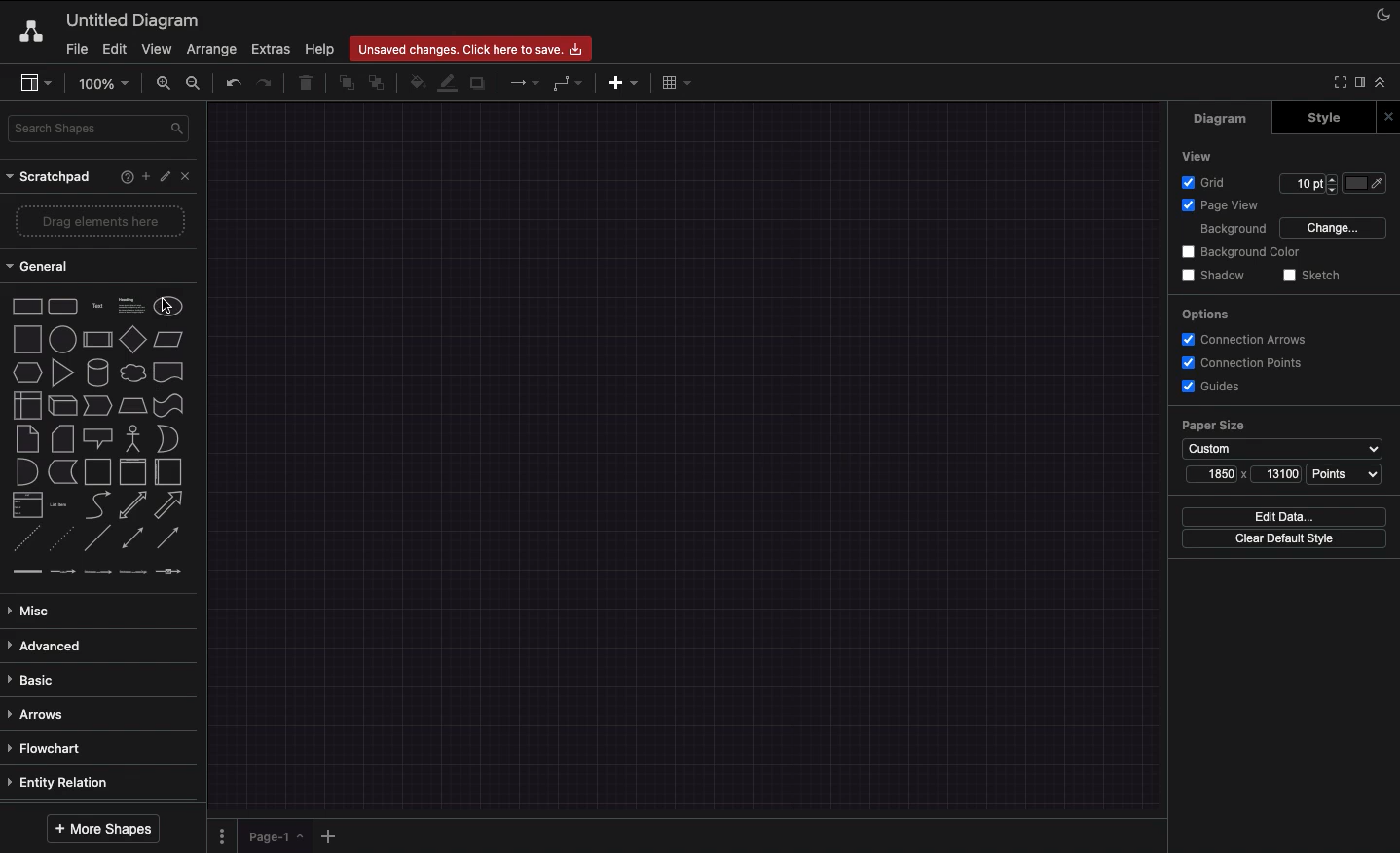 The height and width of the screenshot is (853, 1400). I want to click on Zoom out, so click(196, 85).